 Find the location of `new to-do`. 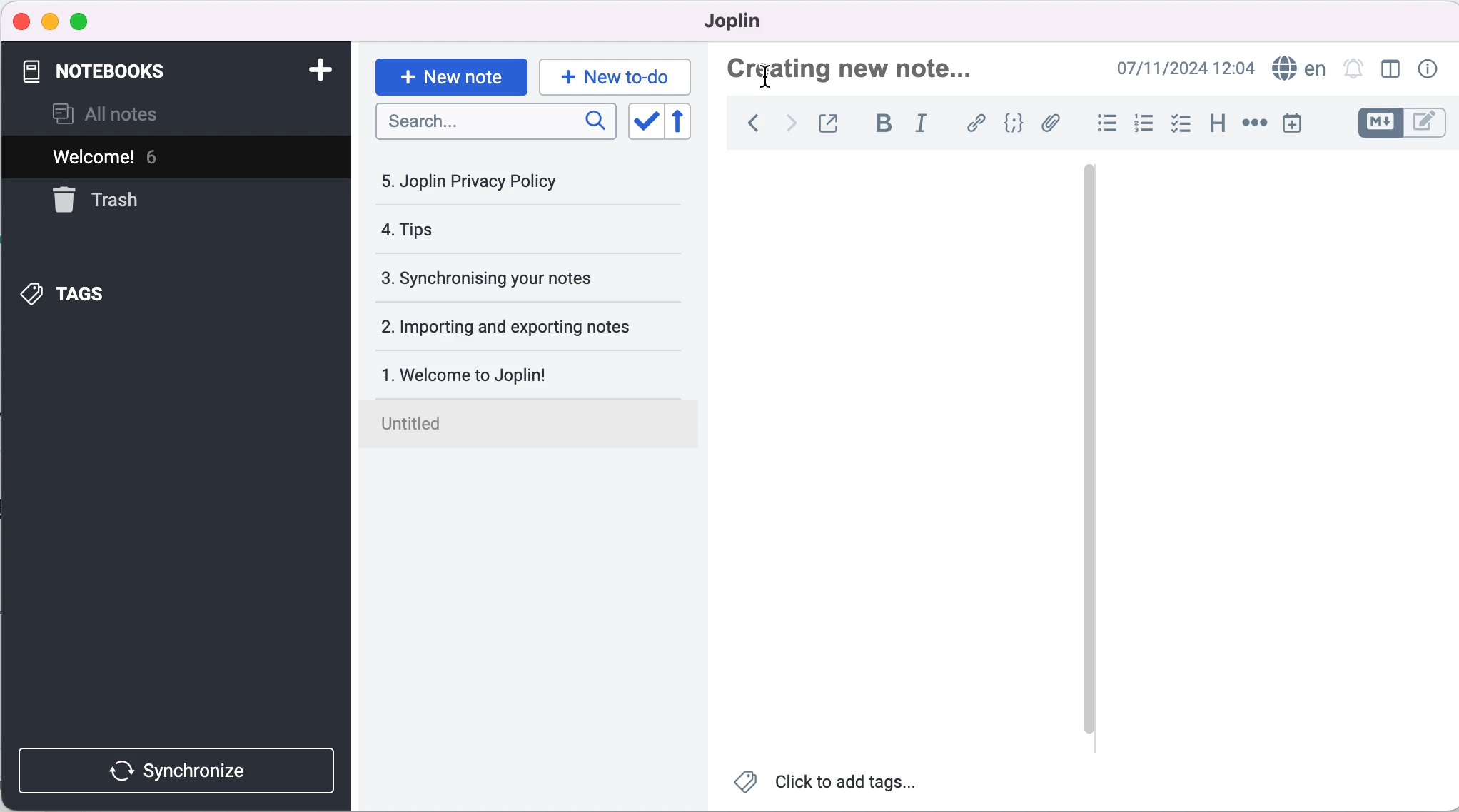

new to-do is located at coordinates (617, 74).